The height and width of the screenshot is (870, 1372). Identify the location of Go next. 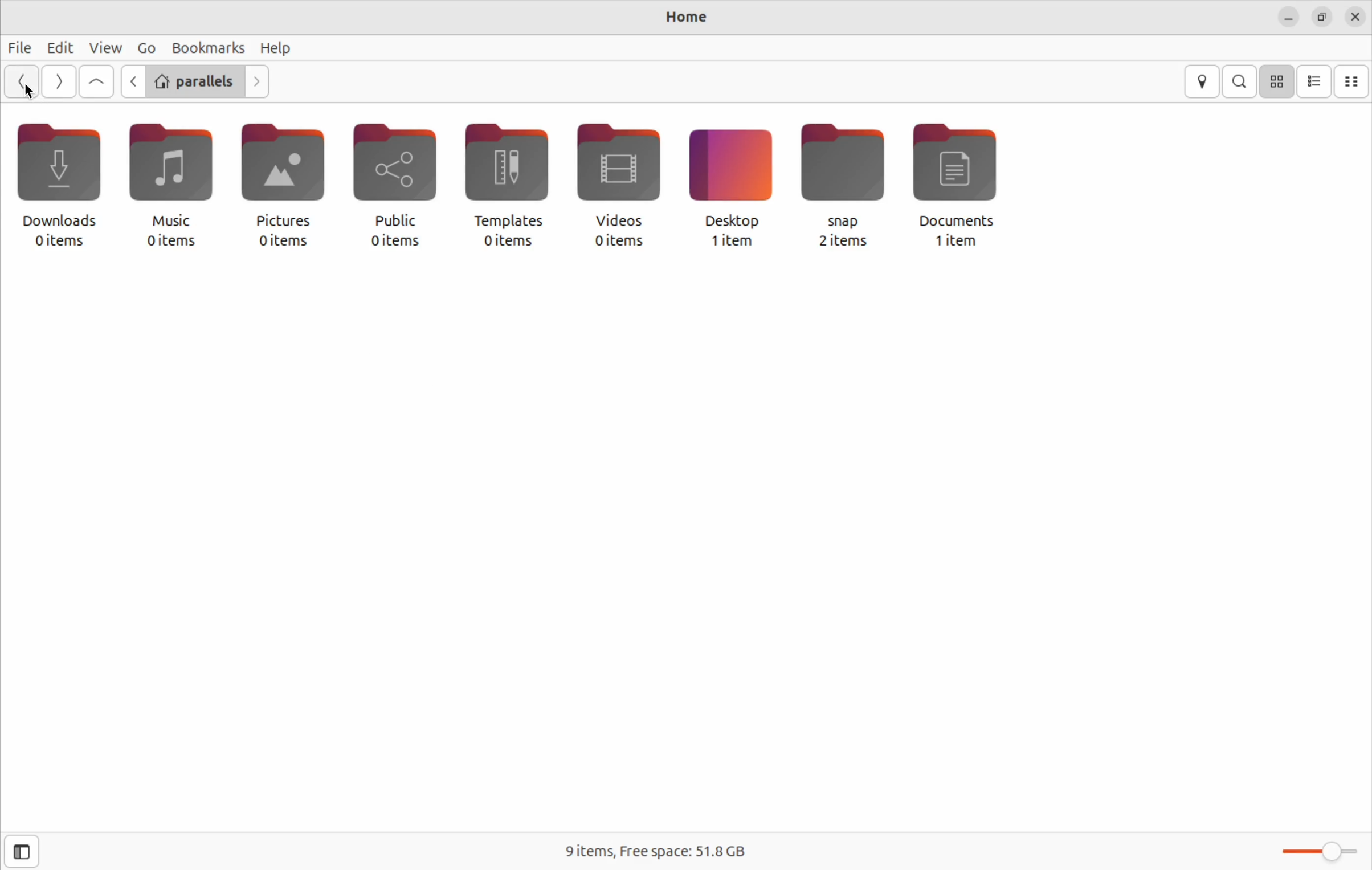
(59, 81).